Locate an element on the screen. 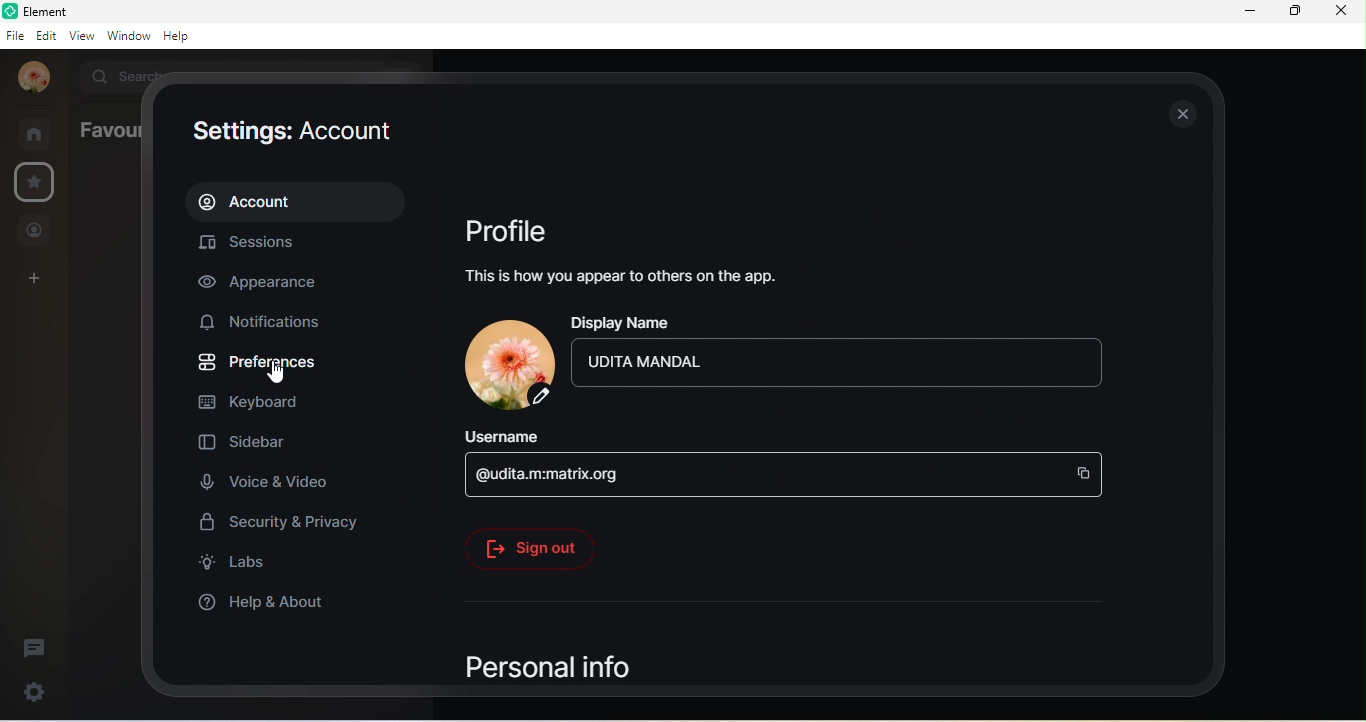  keyboard is located at coordinates (264, 402).